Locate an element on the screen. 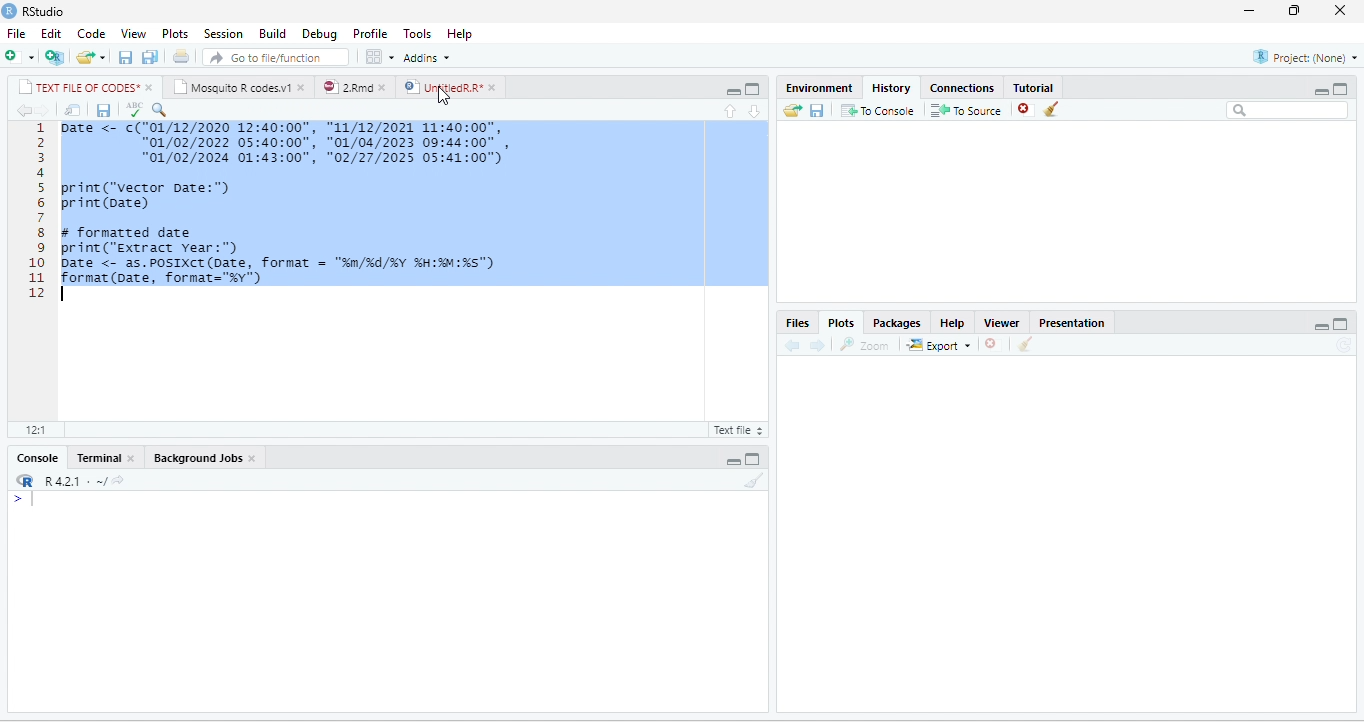 The height and width of the screenshot is (722, 1364). cursor is located at coordinates (443, 96).